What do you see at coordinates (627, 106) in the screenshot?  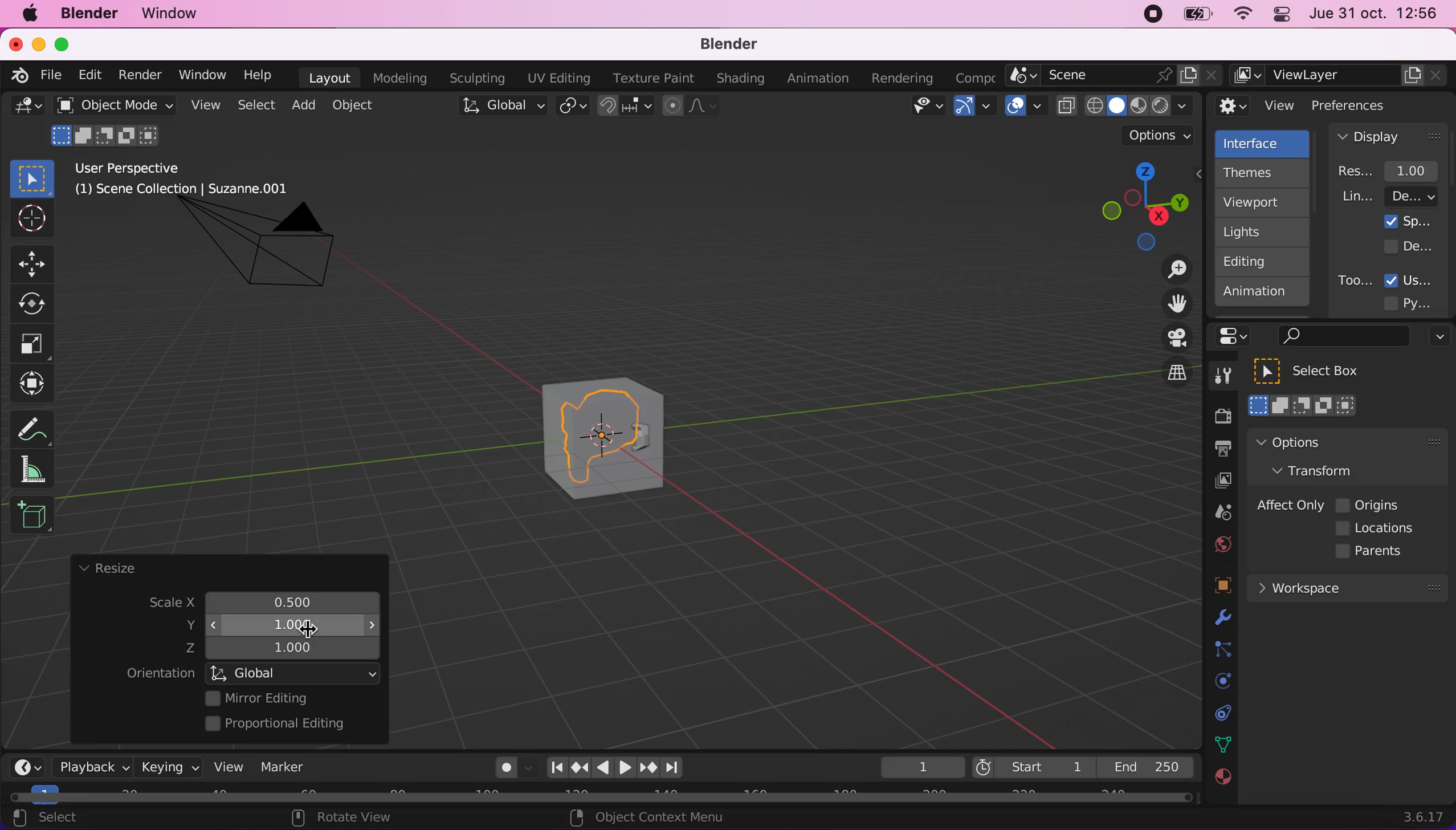 I see `snap` at bounding box center [627, 106].